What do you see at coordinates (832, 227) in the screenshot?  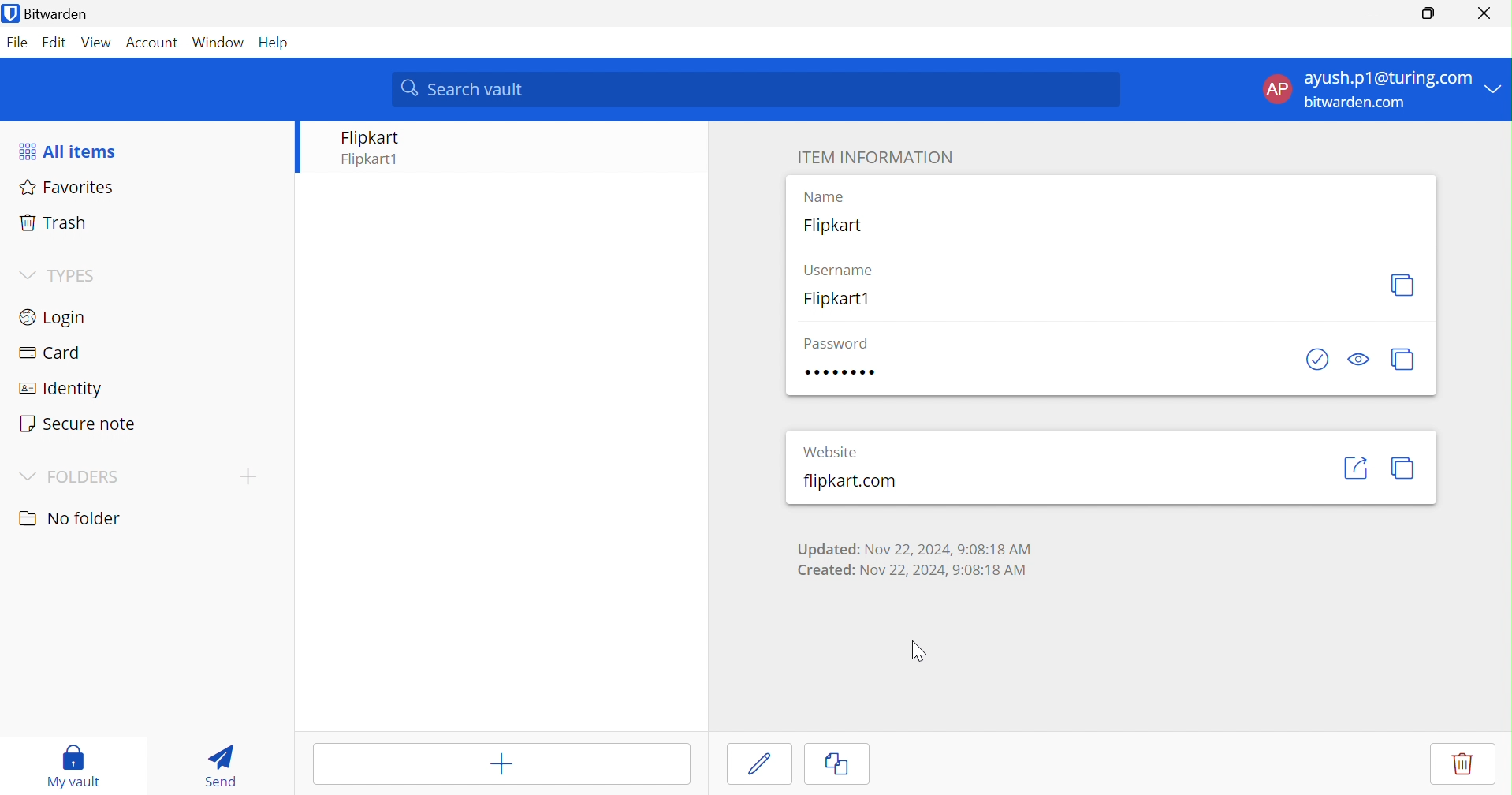 I see `Flipkart` at bounding box center [832, 227].